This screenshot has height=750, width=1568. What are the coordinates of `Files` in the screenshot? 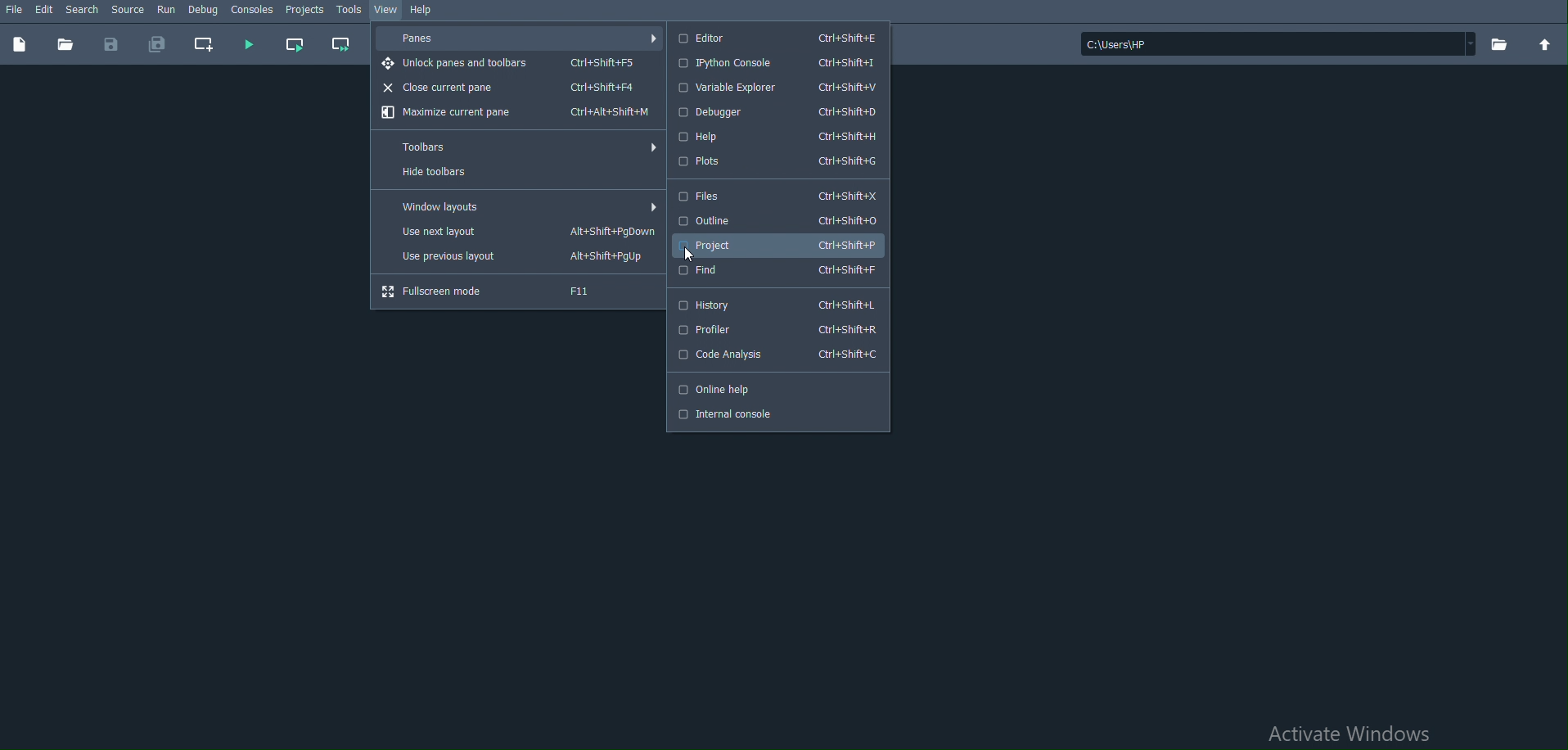 It's located at (775, 194).